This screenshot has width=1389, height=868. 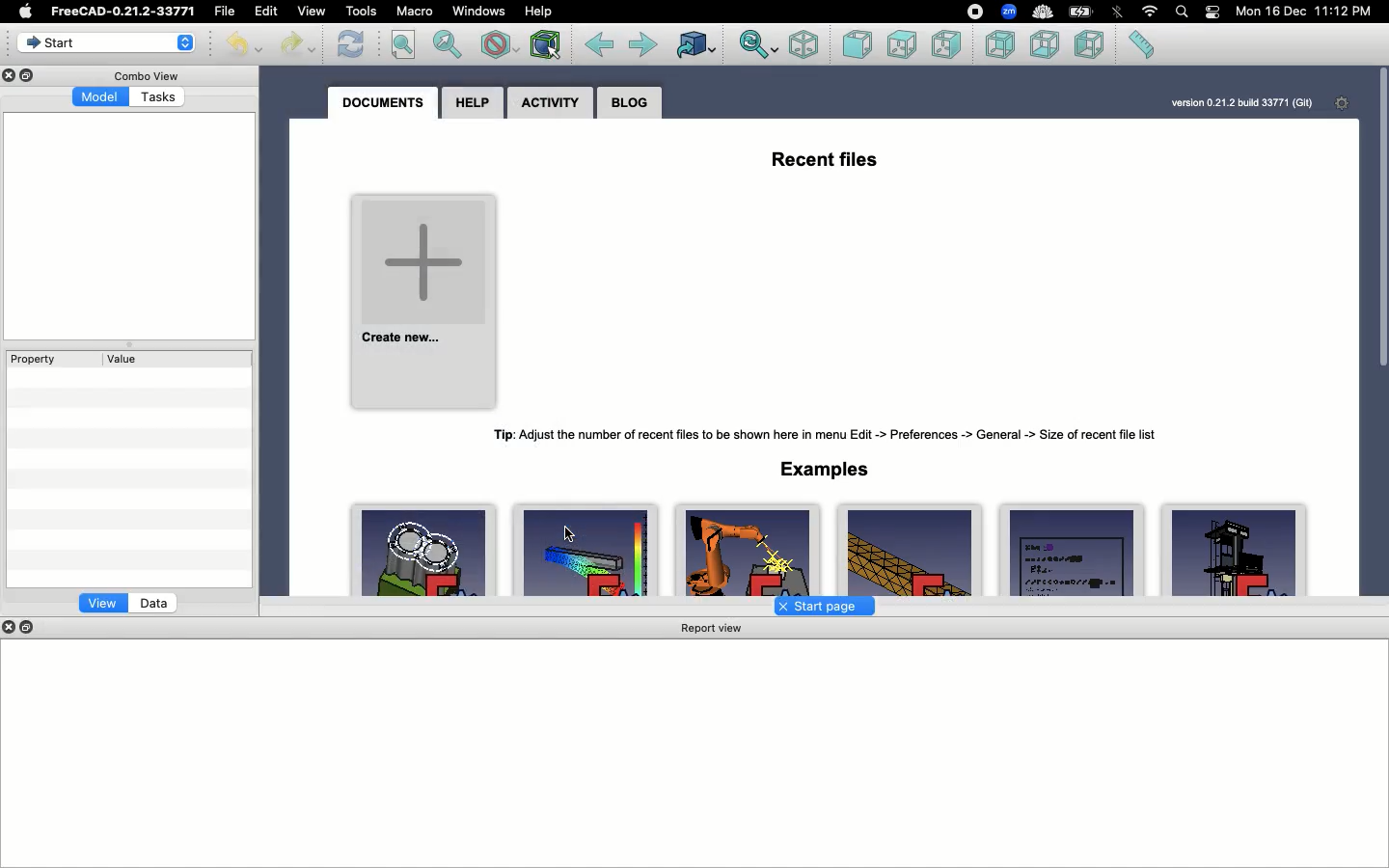 What do you see at coordinates (413, 14) in the screenshot?
I see `Macro` at bounding box center [413, 14].